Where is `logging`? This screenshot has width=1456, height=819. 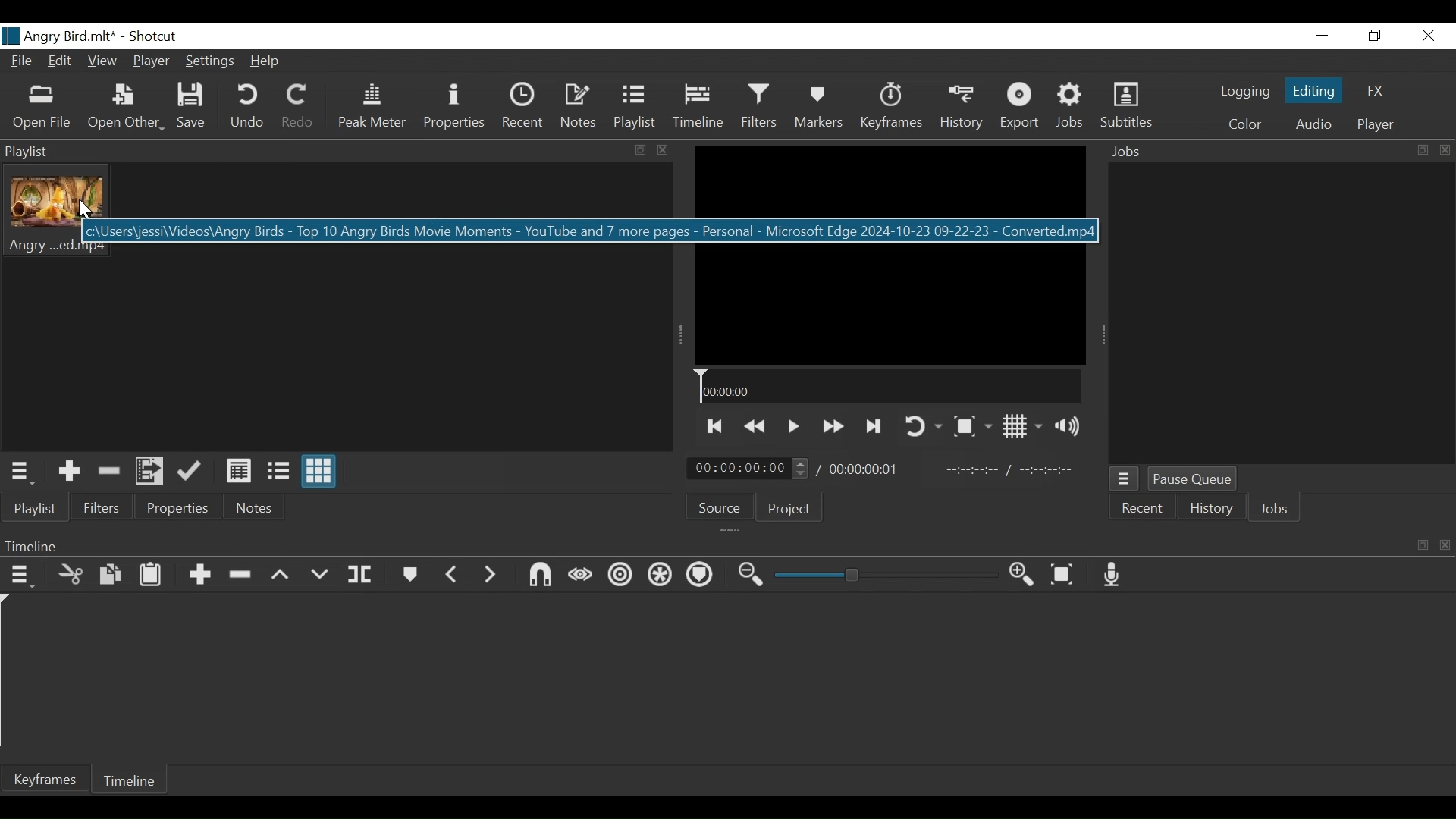
logging is located at coordinates (1246, 92).